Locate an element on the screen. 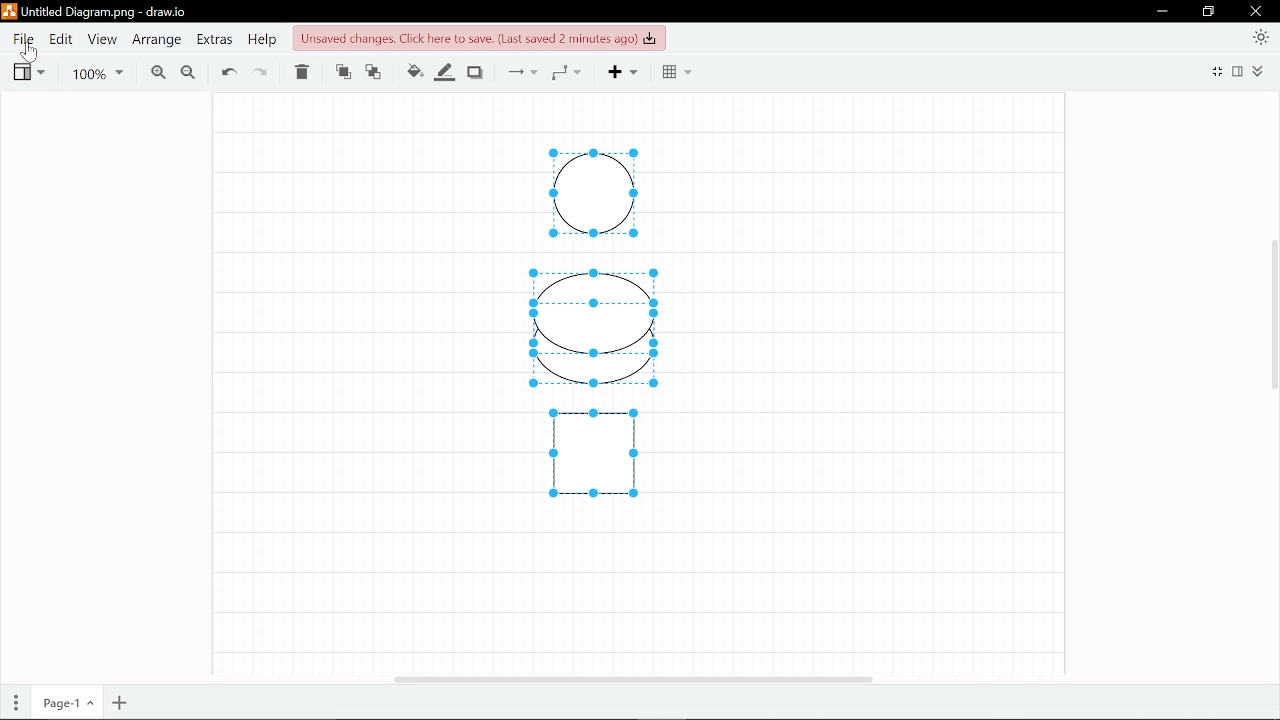  Arrange is located at coordinates (158, 40).